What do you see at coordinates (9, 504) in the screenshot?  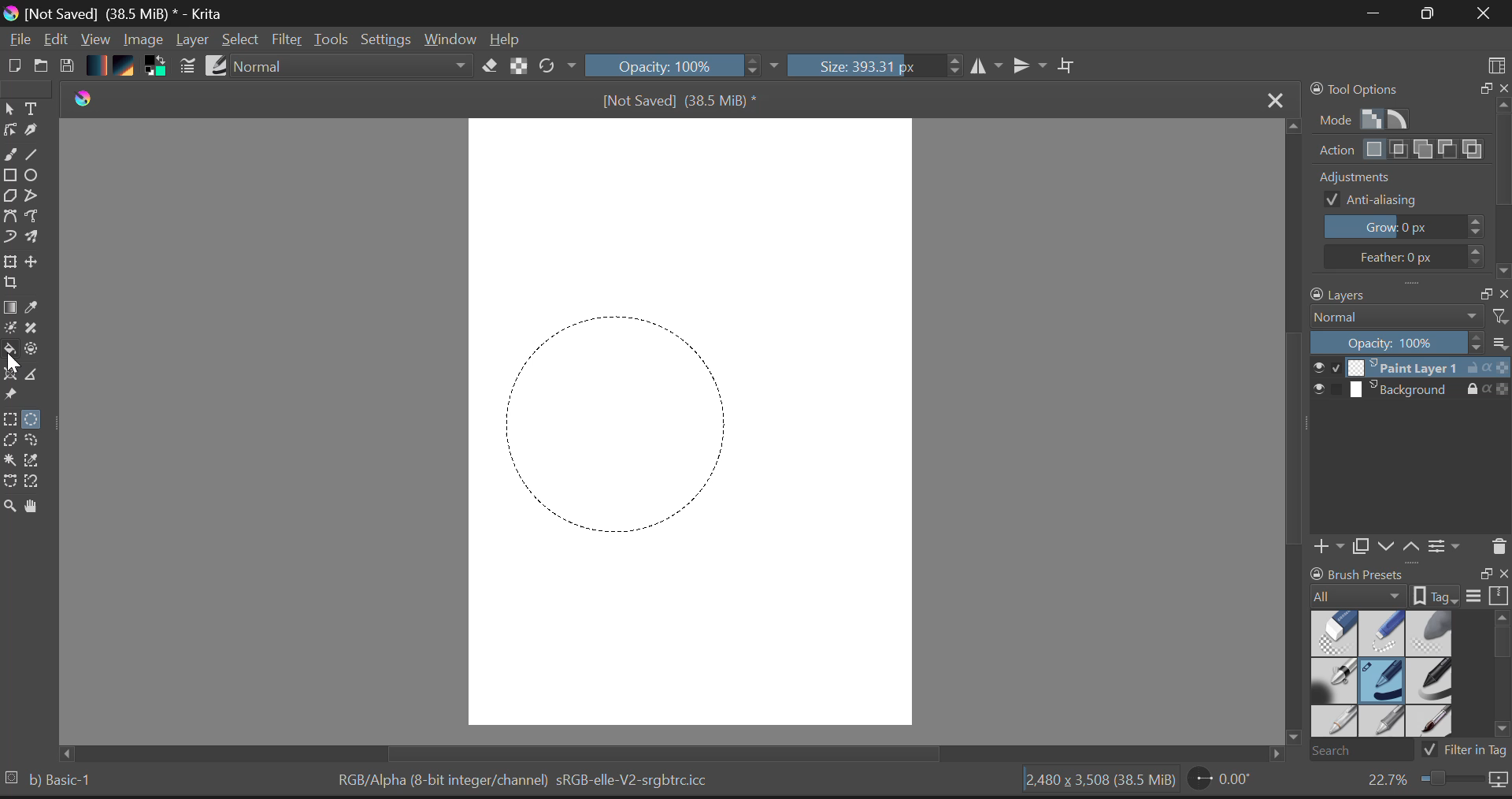 I see `Zoom` at bounding box center [9, 504].